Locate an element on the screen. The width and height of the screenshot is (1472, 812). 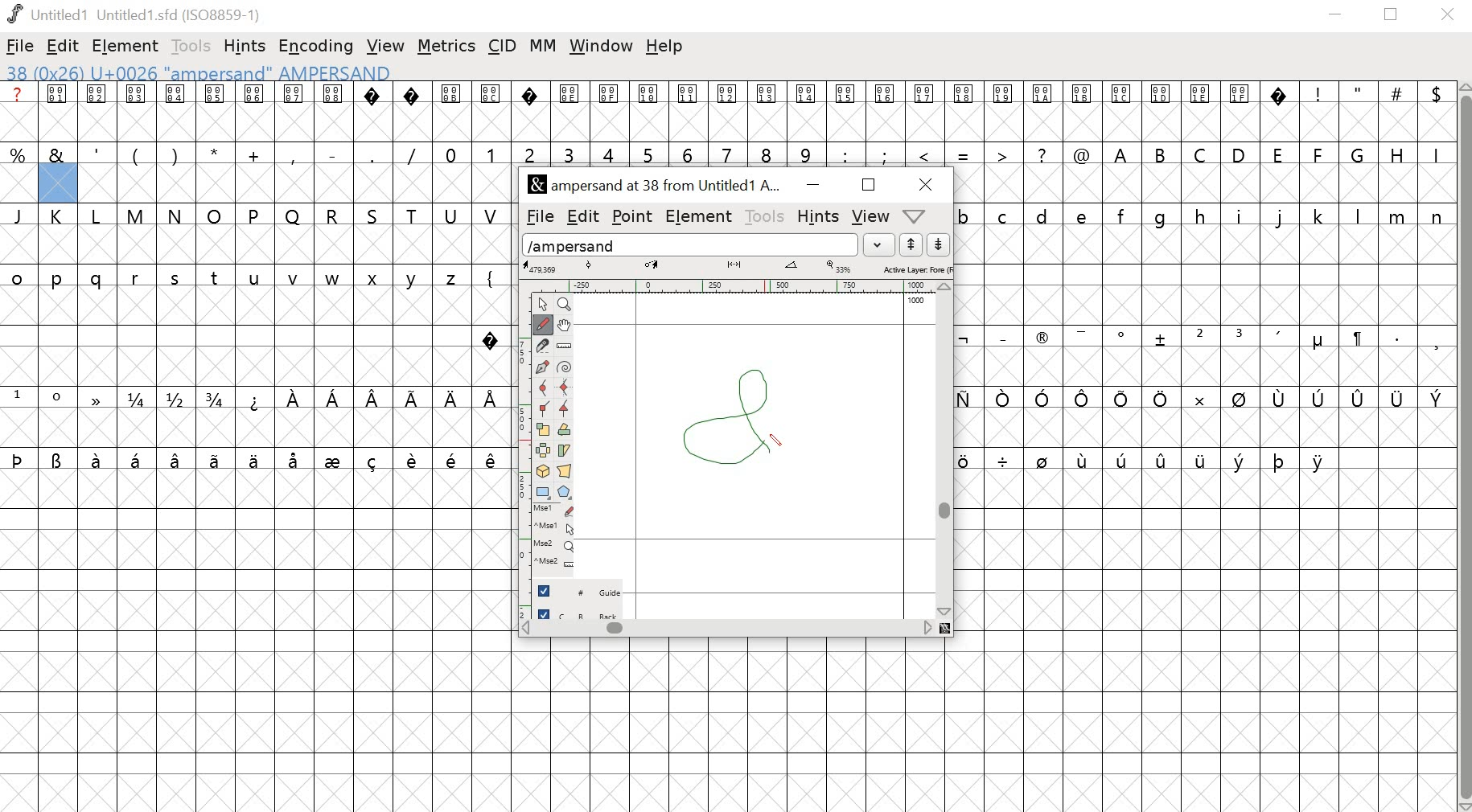
symbol is located at coordinates (491, 460).